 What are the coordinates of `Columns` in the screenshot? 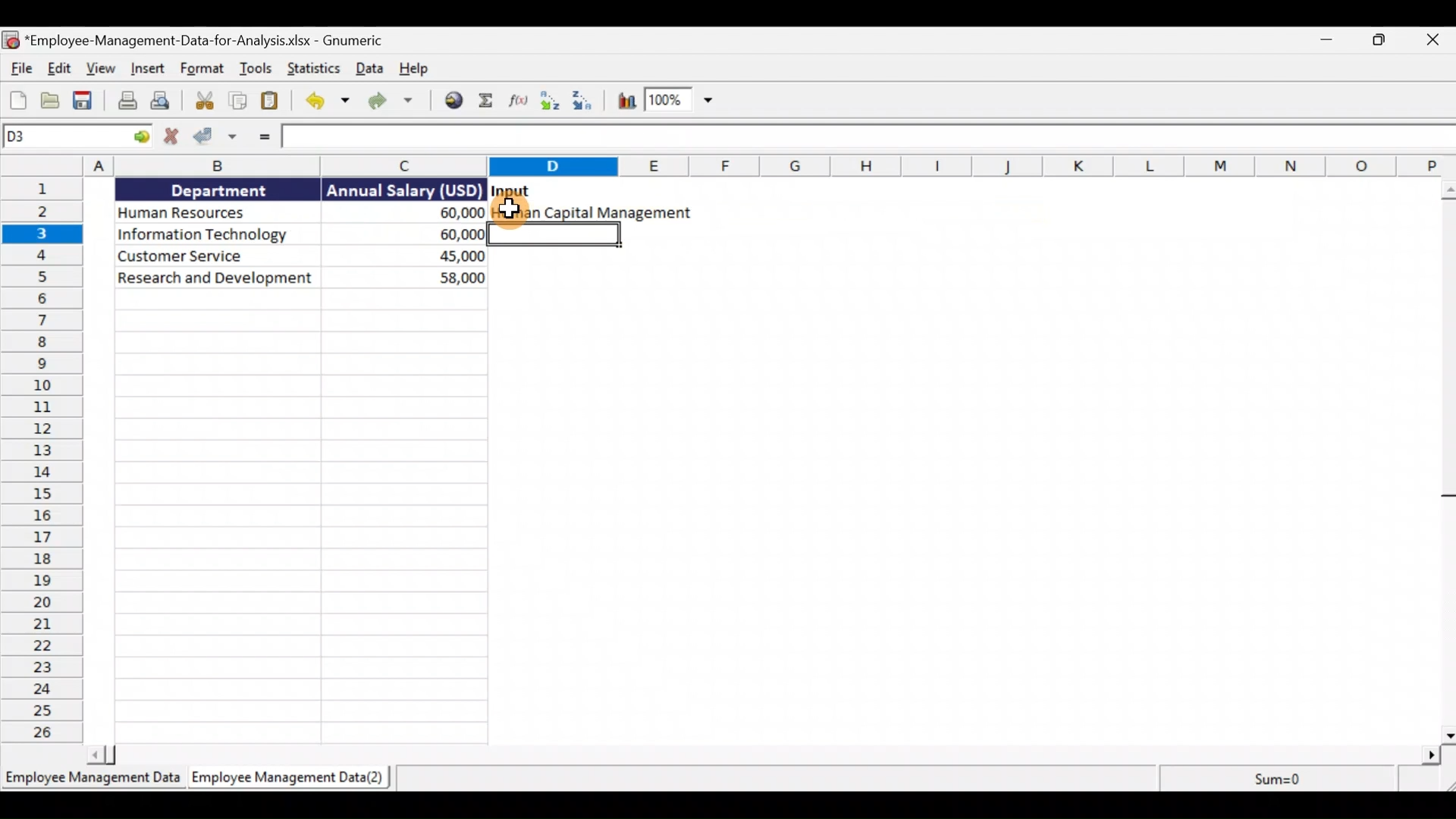 It's located at (731, 165).